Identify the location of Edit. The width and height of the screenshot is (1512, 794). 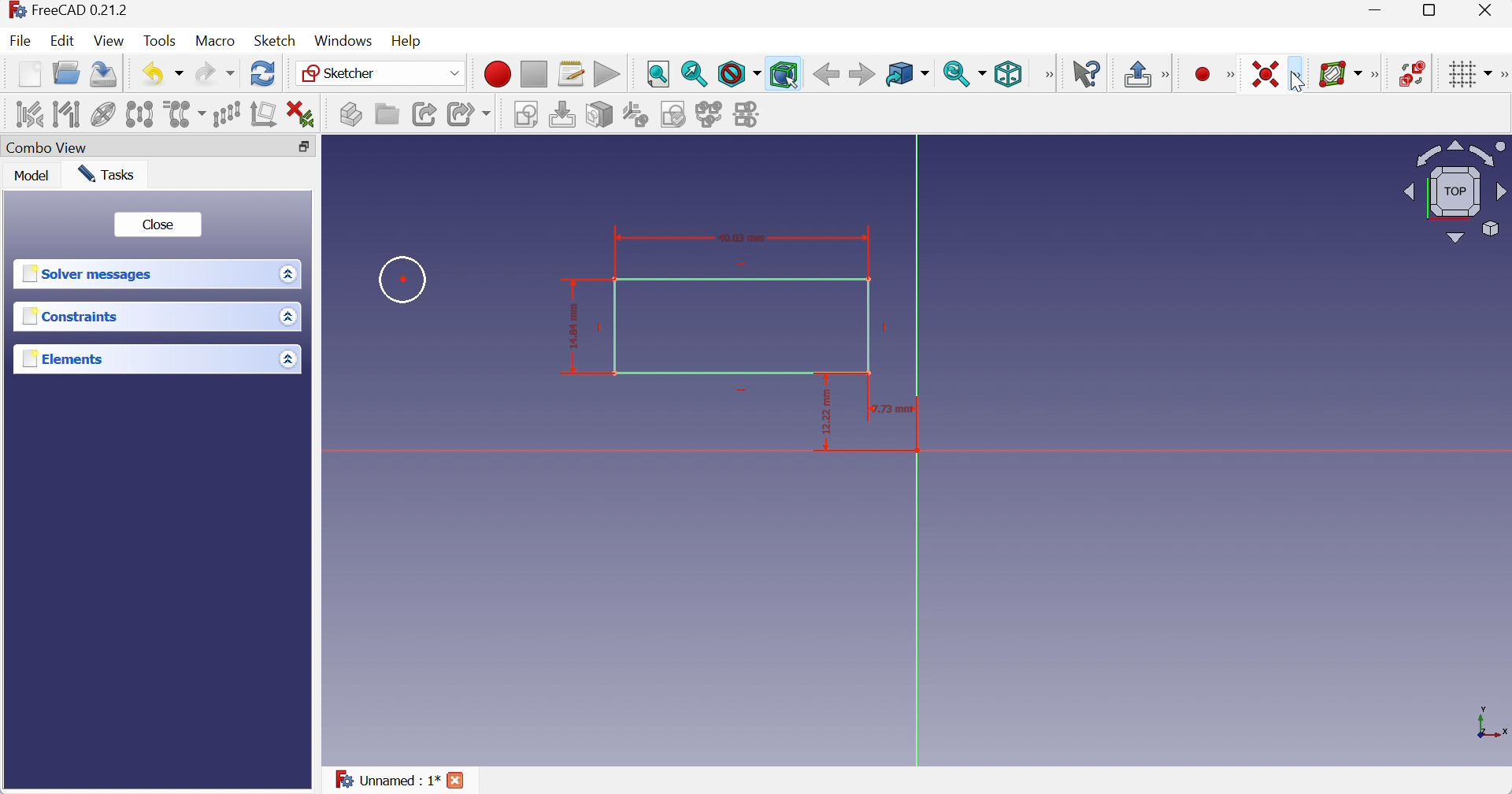
(61, 40).